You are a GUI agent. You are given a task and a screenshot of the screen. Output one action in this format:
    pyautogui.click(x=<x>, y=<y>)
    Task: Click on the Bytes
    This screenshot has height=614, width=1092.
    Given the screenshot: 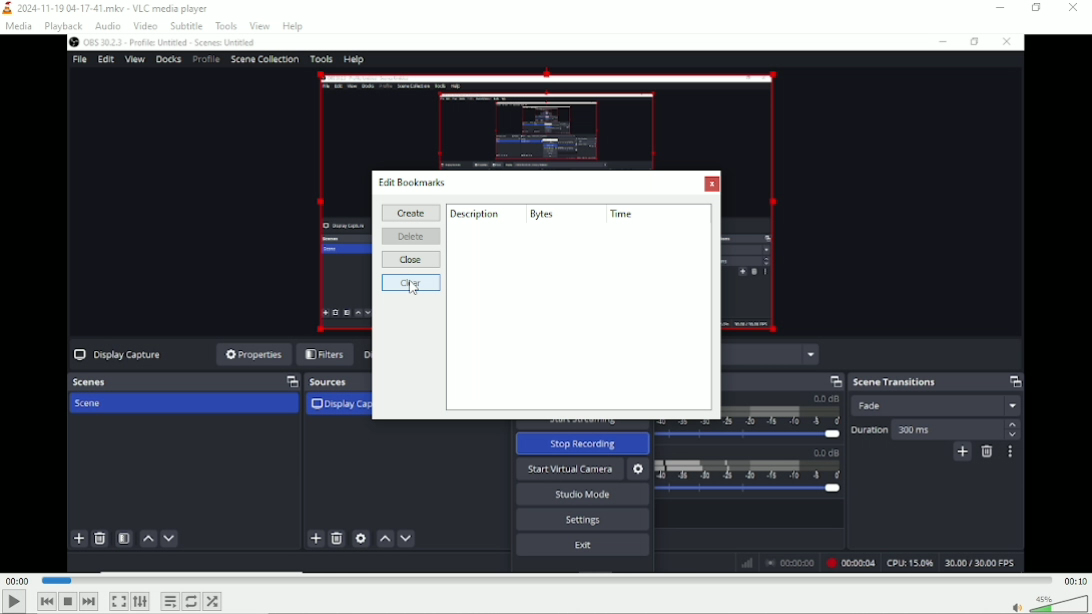 What is the action you would take?
    pyautogui.click(x=546, y=213)
    